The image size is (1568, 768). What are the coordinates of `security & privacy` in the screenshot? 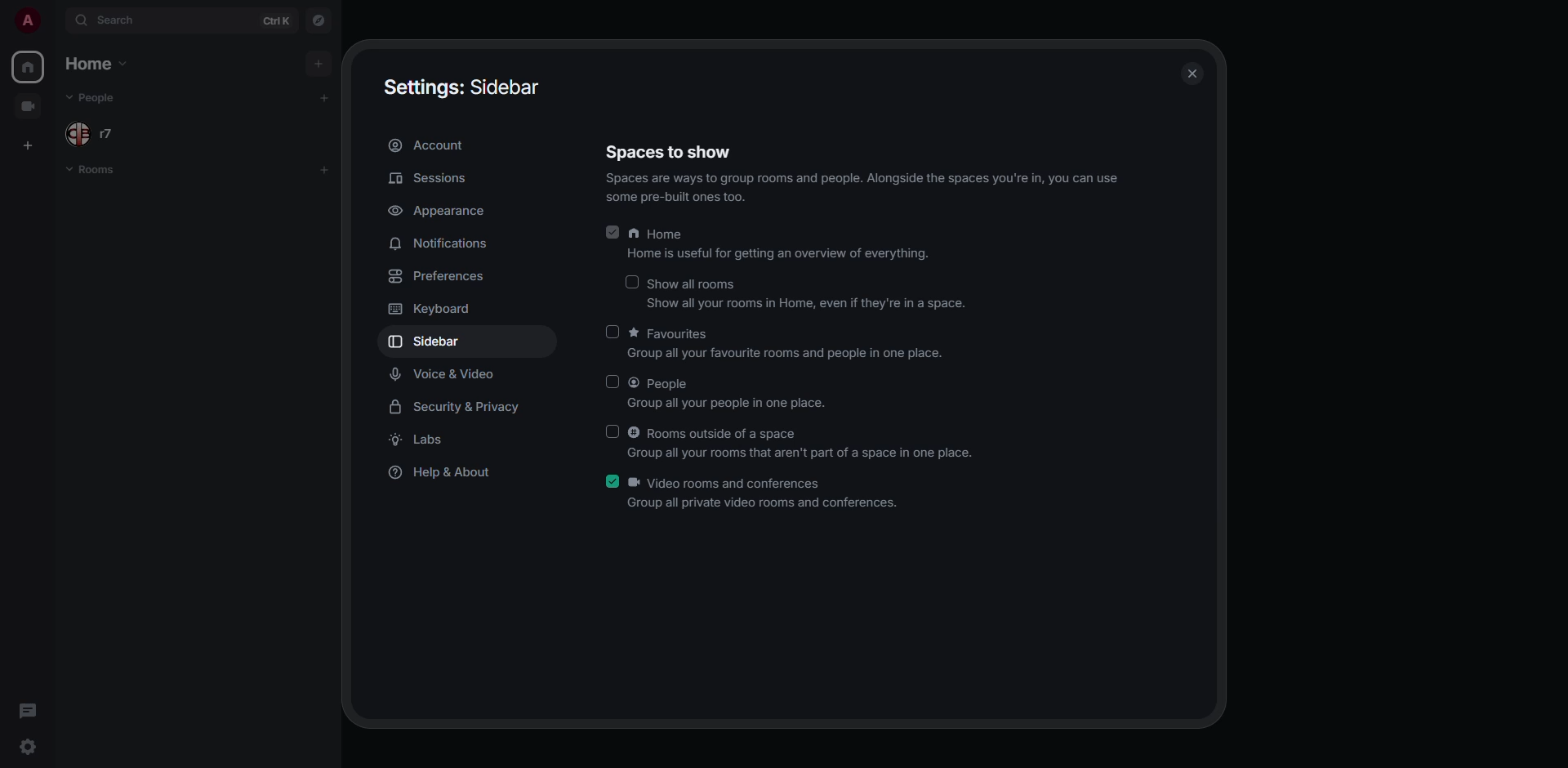 It's located at (457, 407).